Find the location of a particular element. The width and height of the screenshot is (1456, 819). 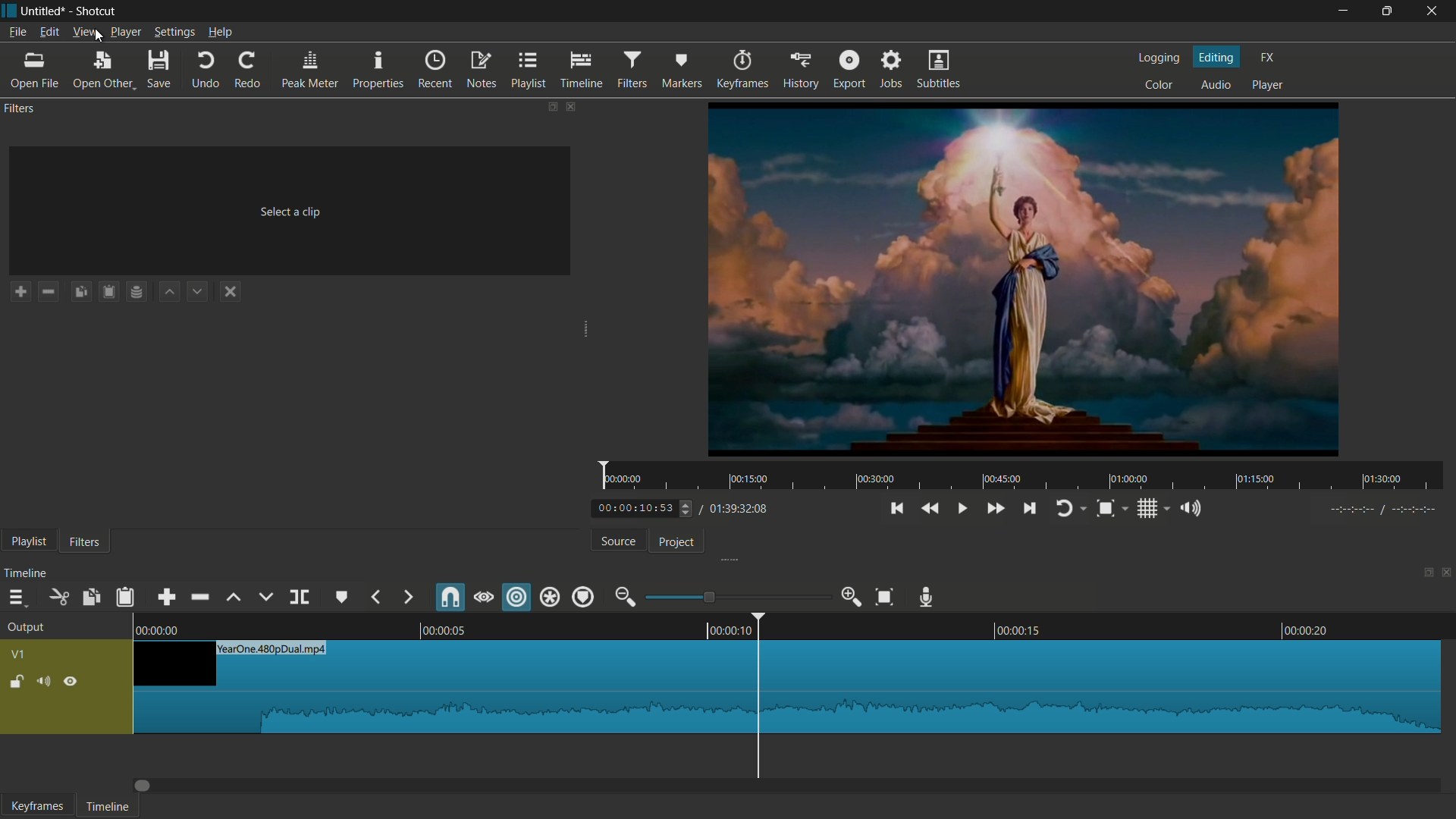

timeline is located at coordinates (582, 71).